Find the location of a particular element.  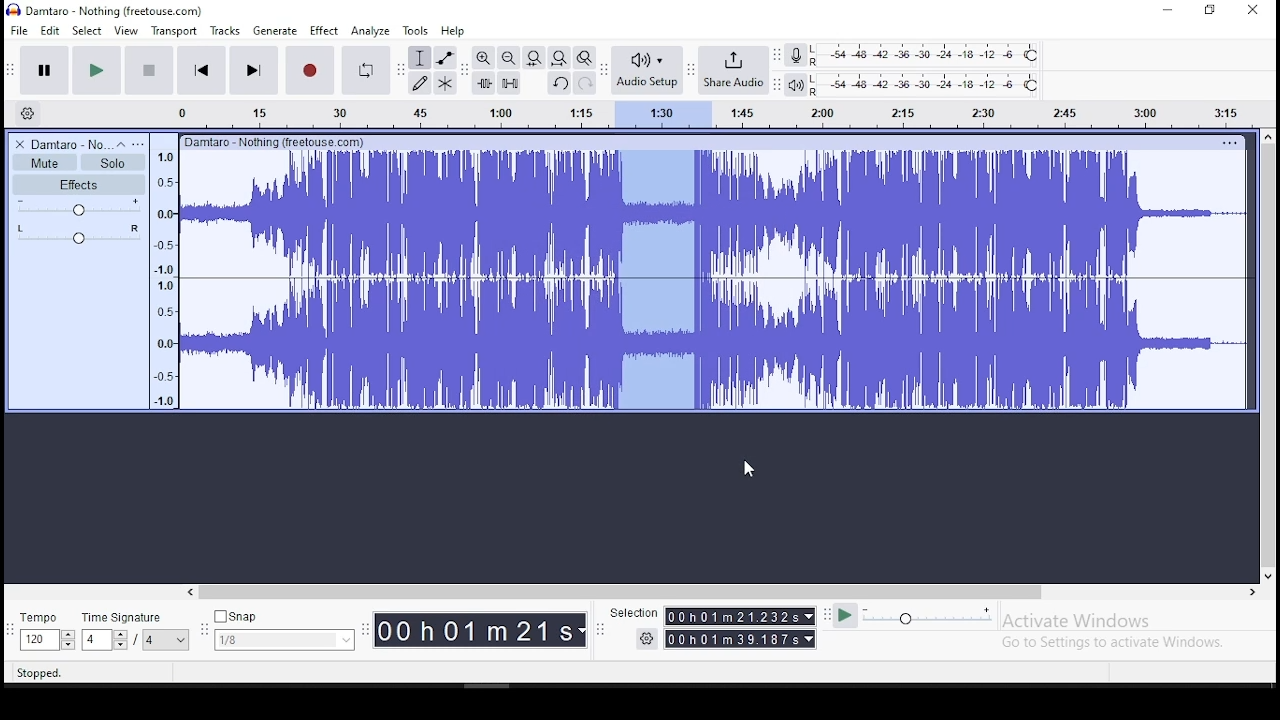

00 h 01 m 39.187s is located at coordinates (733, 639).